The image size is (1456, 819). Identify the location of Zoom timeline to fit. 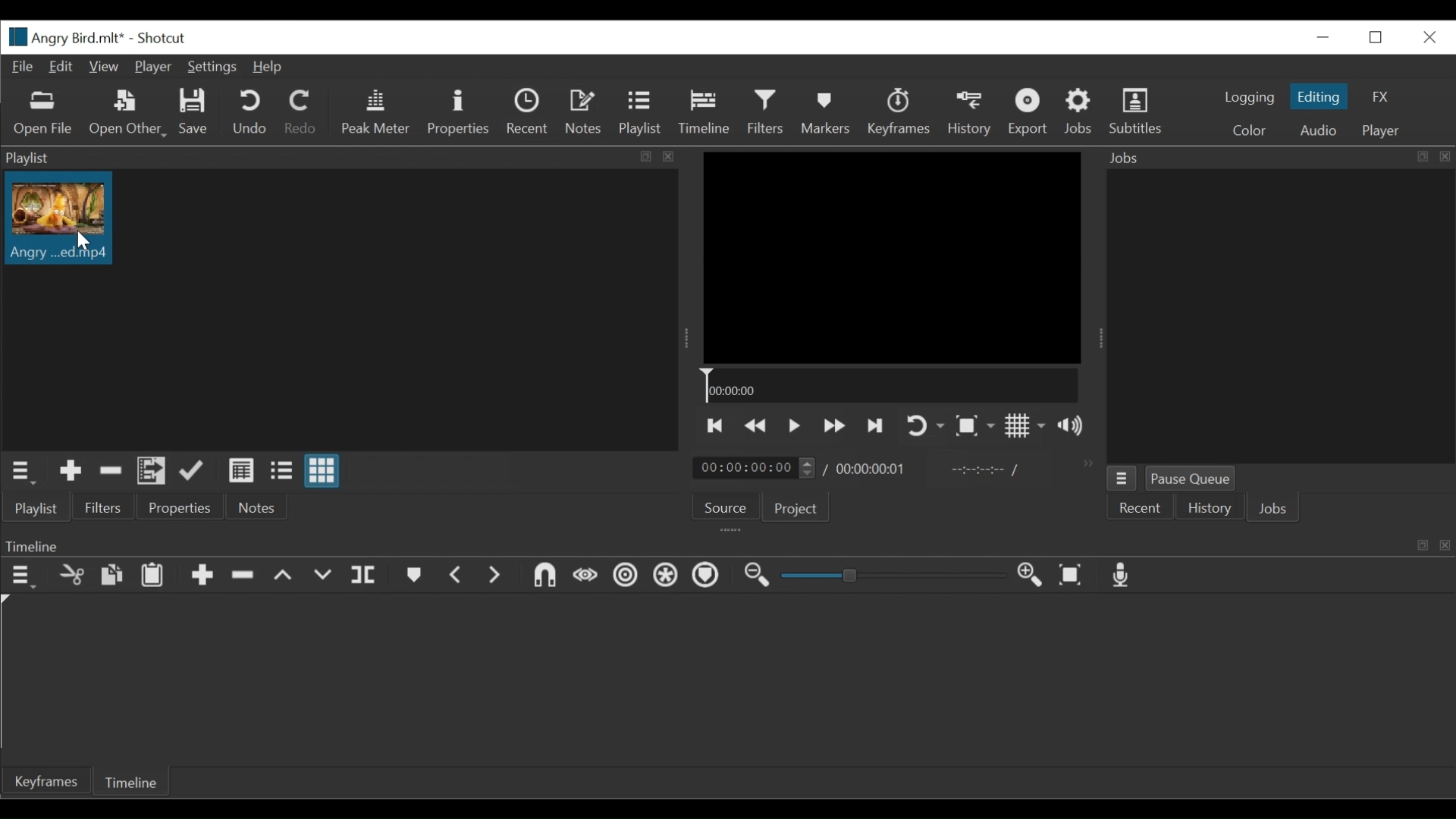
(1072, 576).